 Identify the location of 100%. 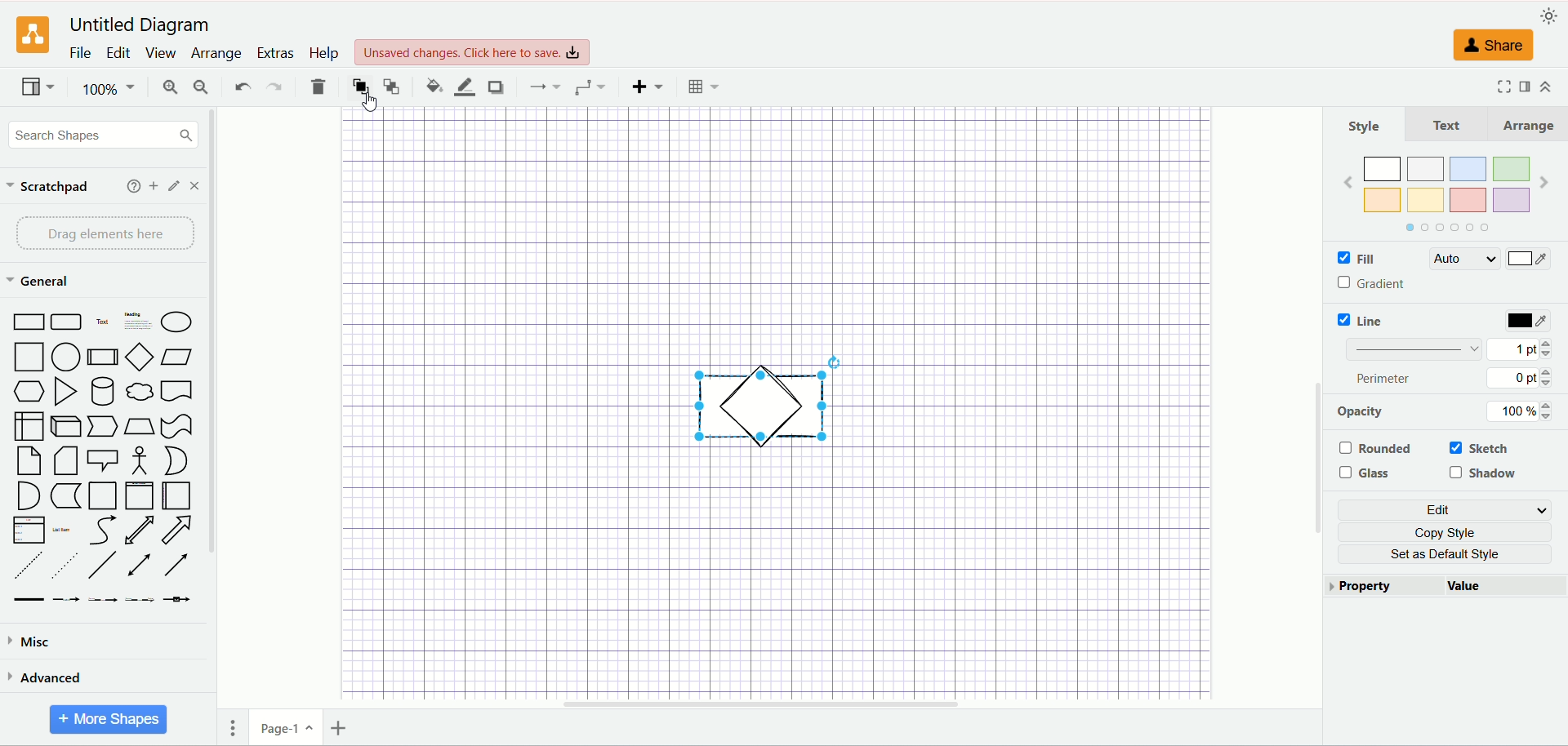
(109, 87).